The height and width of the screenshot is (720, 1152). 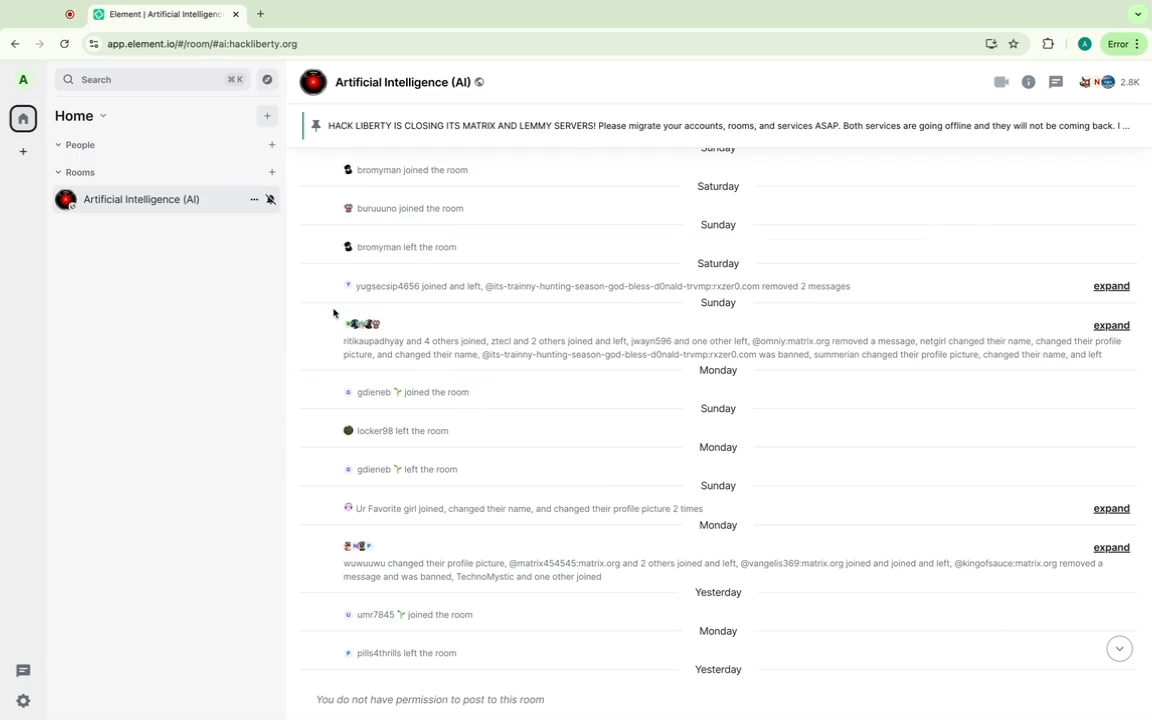 What do you see at coordinates (709, 124) in the screenshot?
I see `Pinned message` at bounding box center [709, 124].